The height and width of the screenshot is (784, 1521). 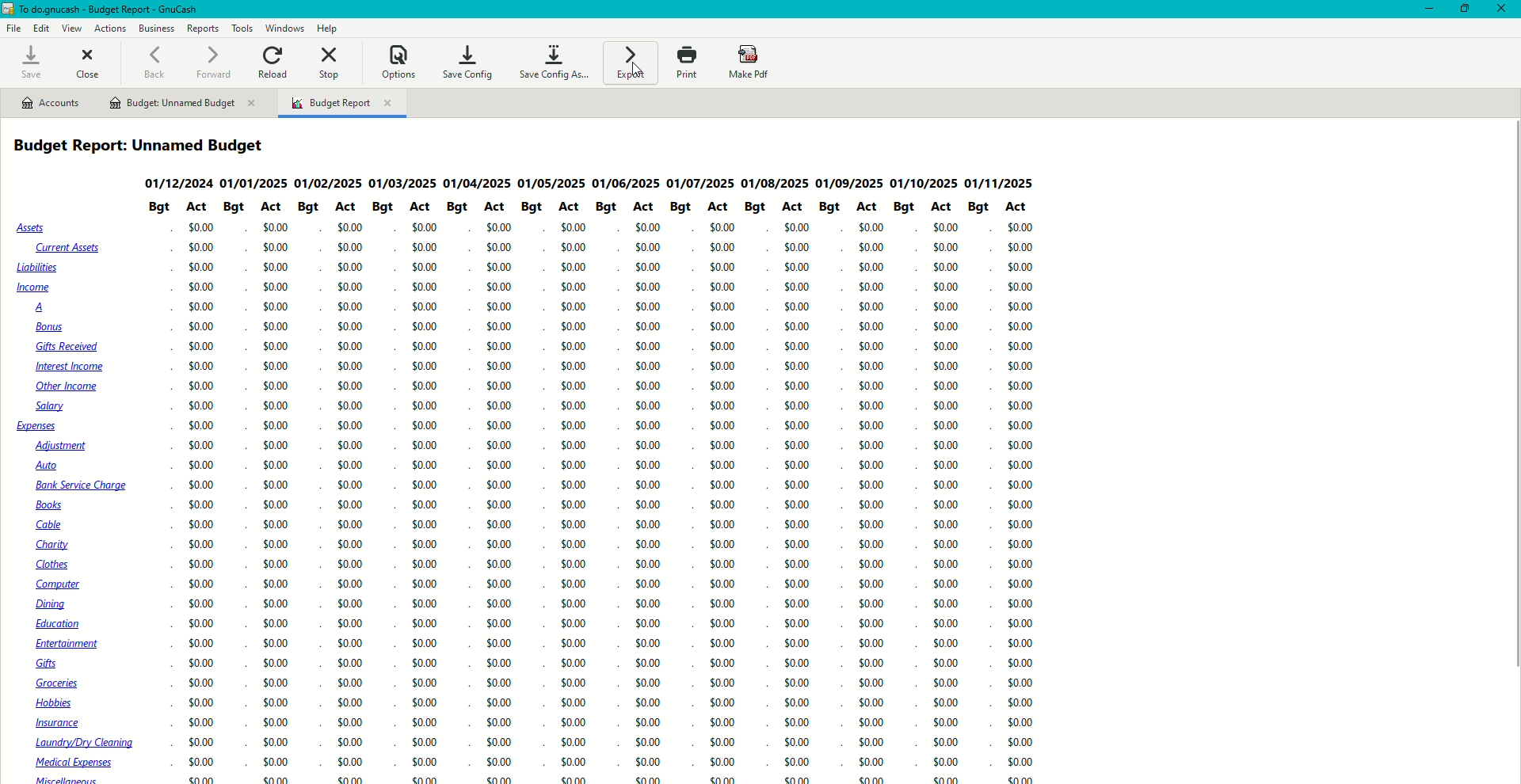 I want to click on 0.00, so click(x=276, y=287).